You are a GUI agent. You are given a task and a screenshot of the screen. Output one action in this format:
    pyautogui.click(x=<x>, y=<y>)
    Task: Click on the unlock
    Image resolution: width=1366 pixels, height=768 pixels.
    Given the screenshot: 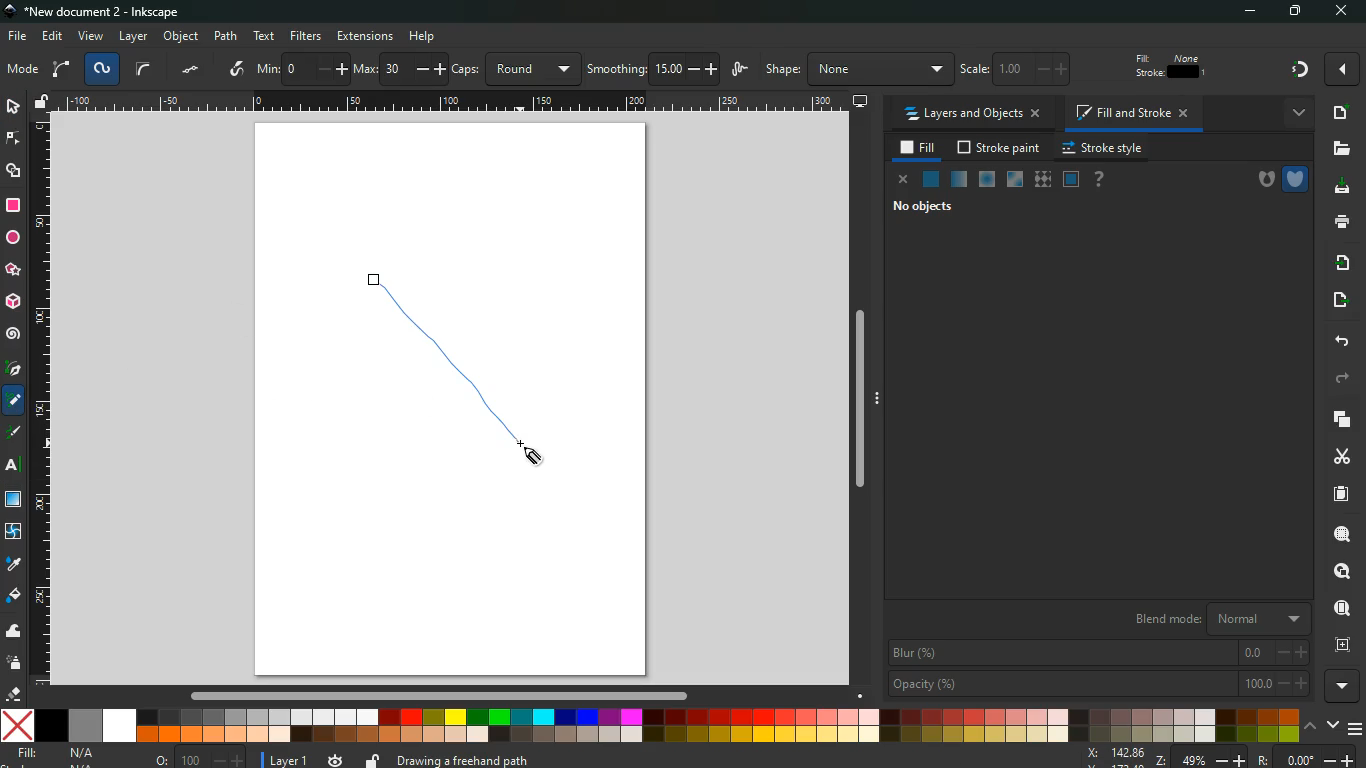 What is the action you would take?
    pyautogui.click(x=371, y=759)
    